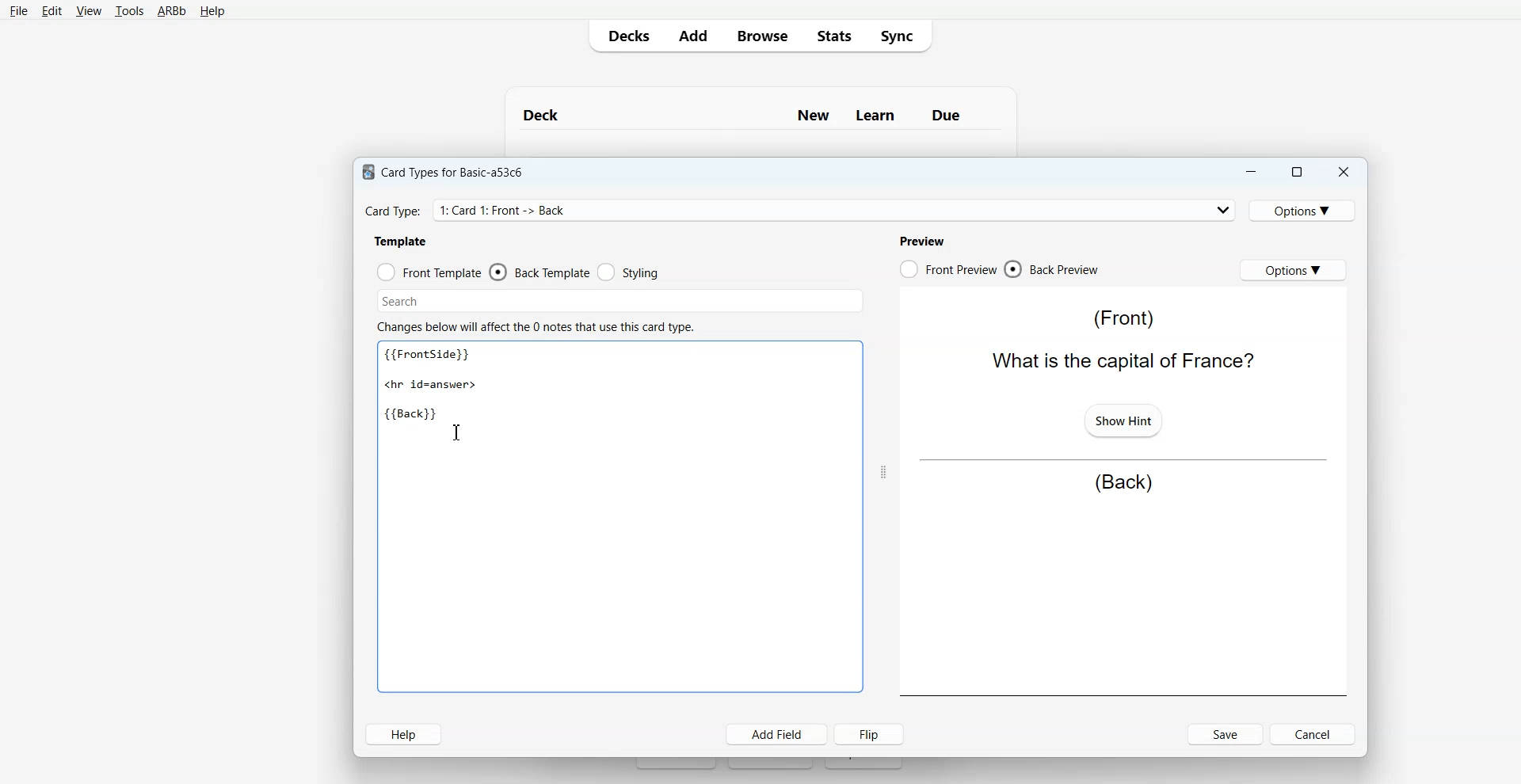 This screenshot has height=784, width=1521. I want to click on Close, so click(1343, 173).